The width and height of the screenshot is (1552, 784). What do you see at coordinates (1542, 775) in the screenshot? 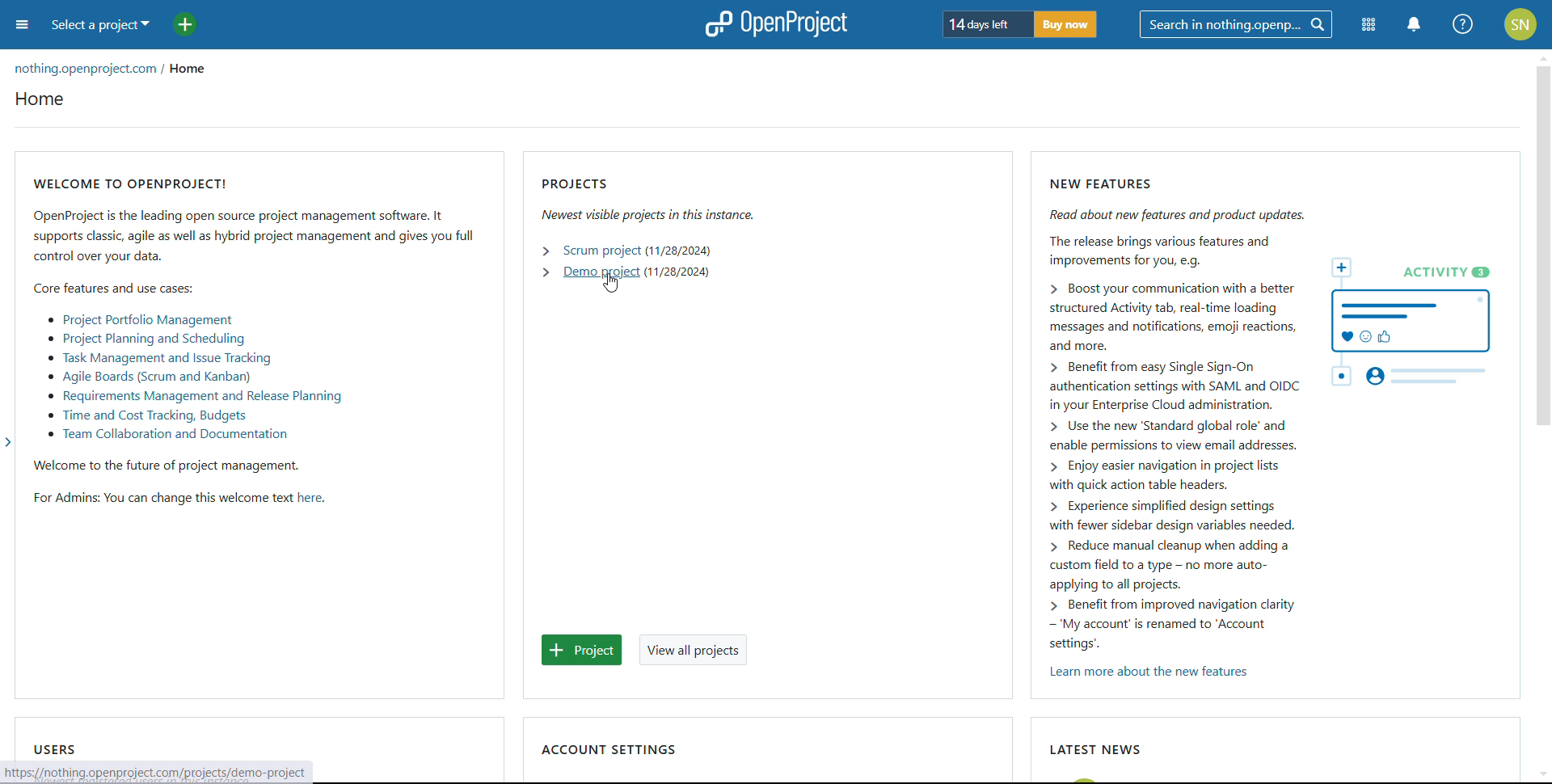
I see `scroll down` at bounding box center [1542, 775].